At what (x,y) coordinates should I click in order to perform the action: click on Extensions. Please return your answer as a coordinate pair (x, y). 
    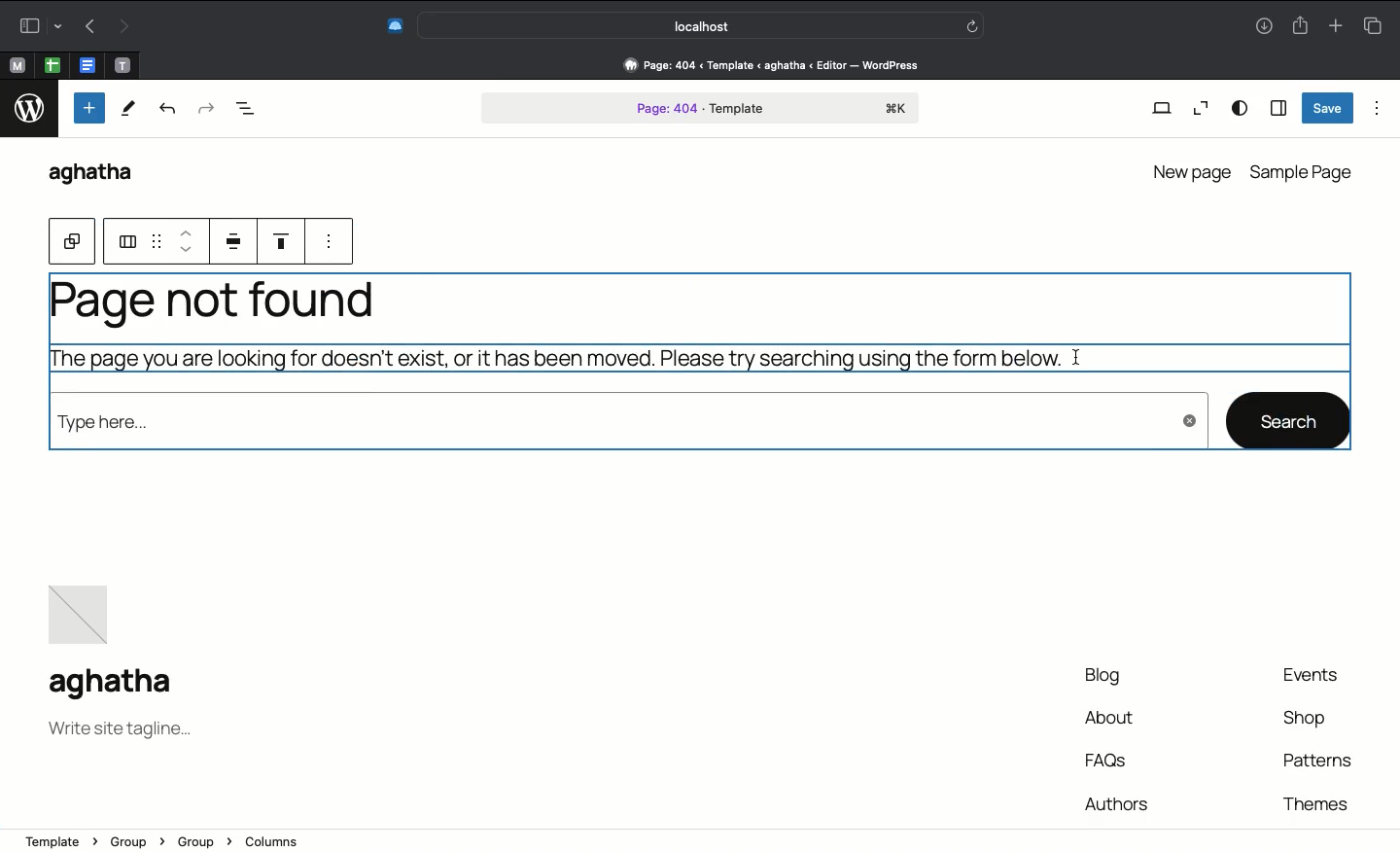
    Looking at the image, I should click on (393, 27).